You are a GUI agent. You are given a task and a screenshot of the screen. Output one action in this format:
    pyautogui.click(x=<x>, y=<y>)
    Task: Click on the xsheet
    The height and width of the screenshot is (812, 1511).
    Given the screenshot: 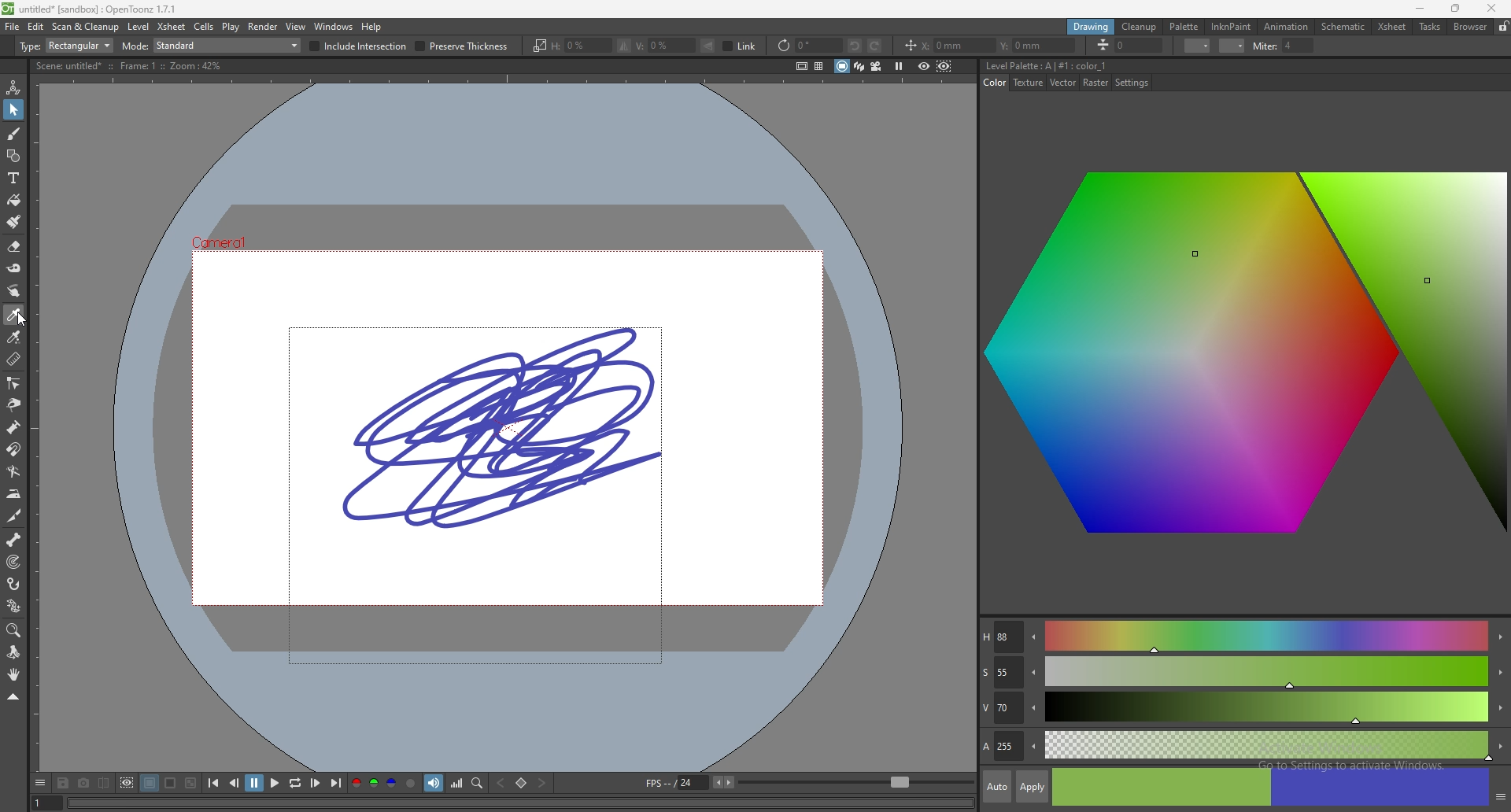 What is the action you would take?
    pyautogui.click(x=172, y=27)
    